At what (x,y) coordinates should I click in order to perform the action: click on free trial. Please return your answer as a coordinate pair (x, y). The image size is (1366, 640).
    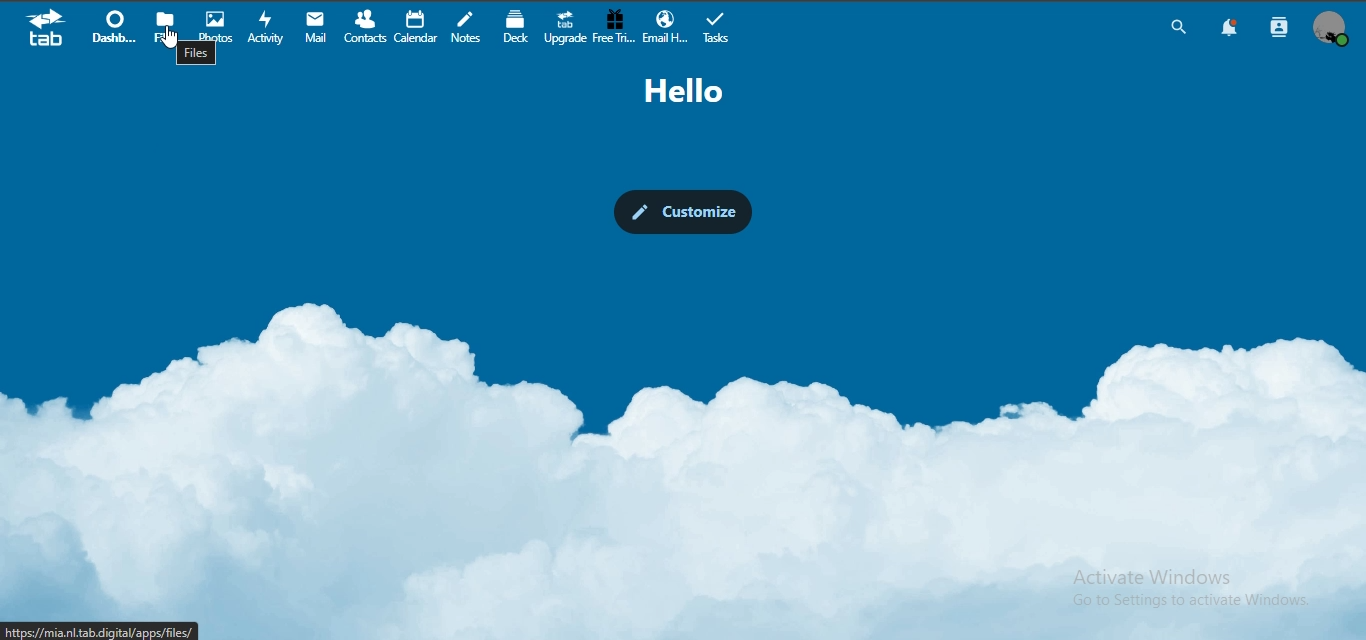
    Looking at the image, I should click on (611, 26).